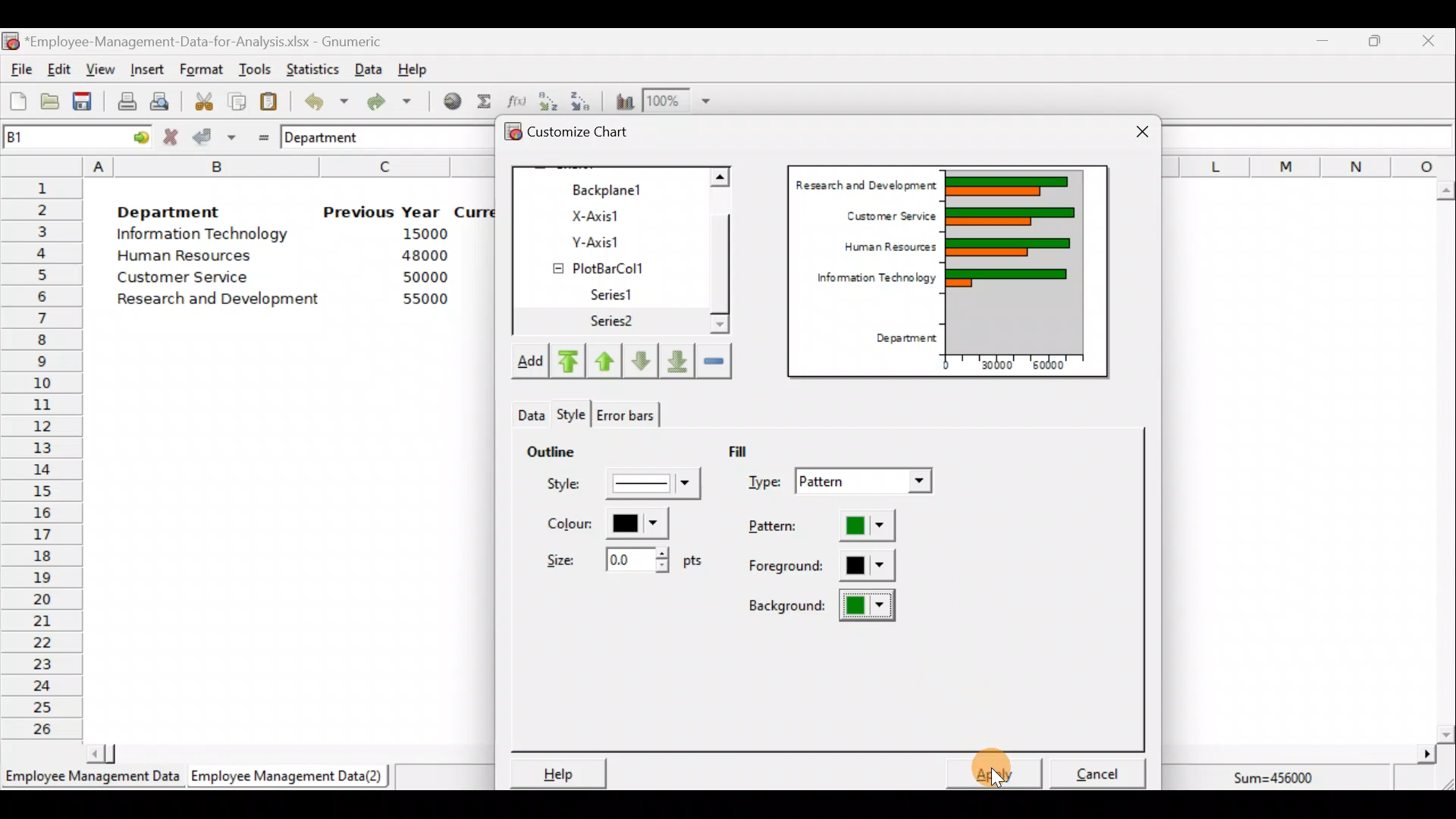  What do you see at coordinates (127, 101) in the screenshot?
I see `Print current file` at bounding box center [127, 101].